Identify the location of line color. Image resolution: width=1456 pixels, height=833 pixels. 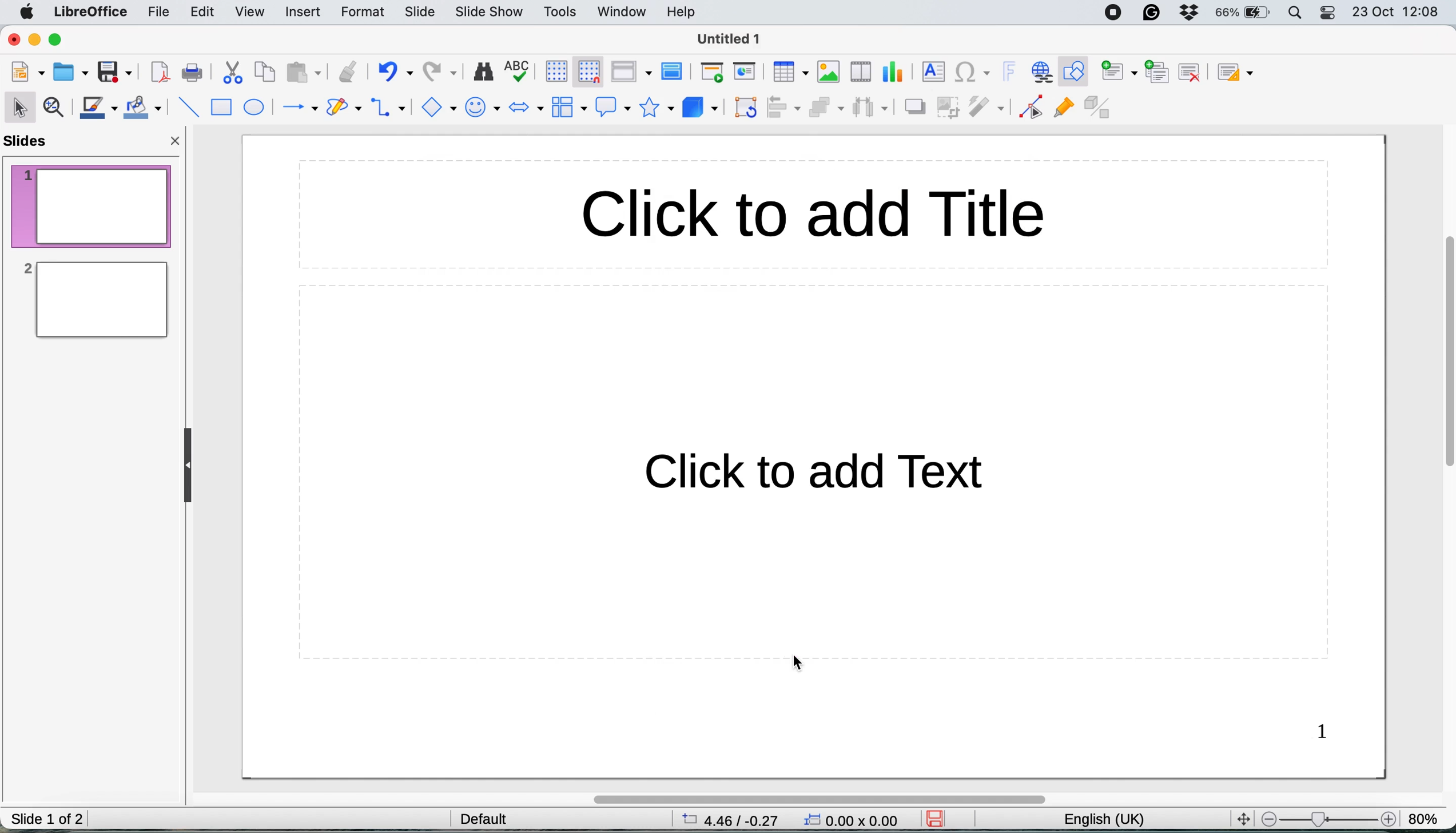
(98, 108).